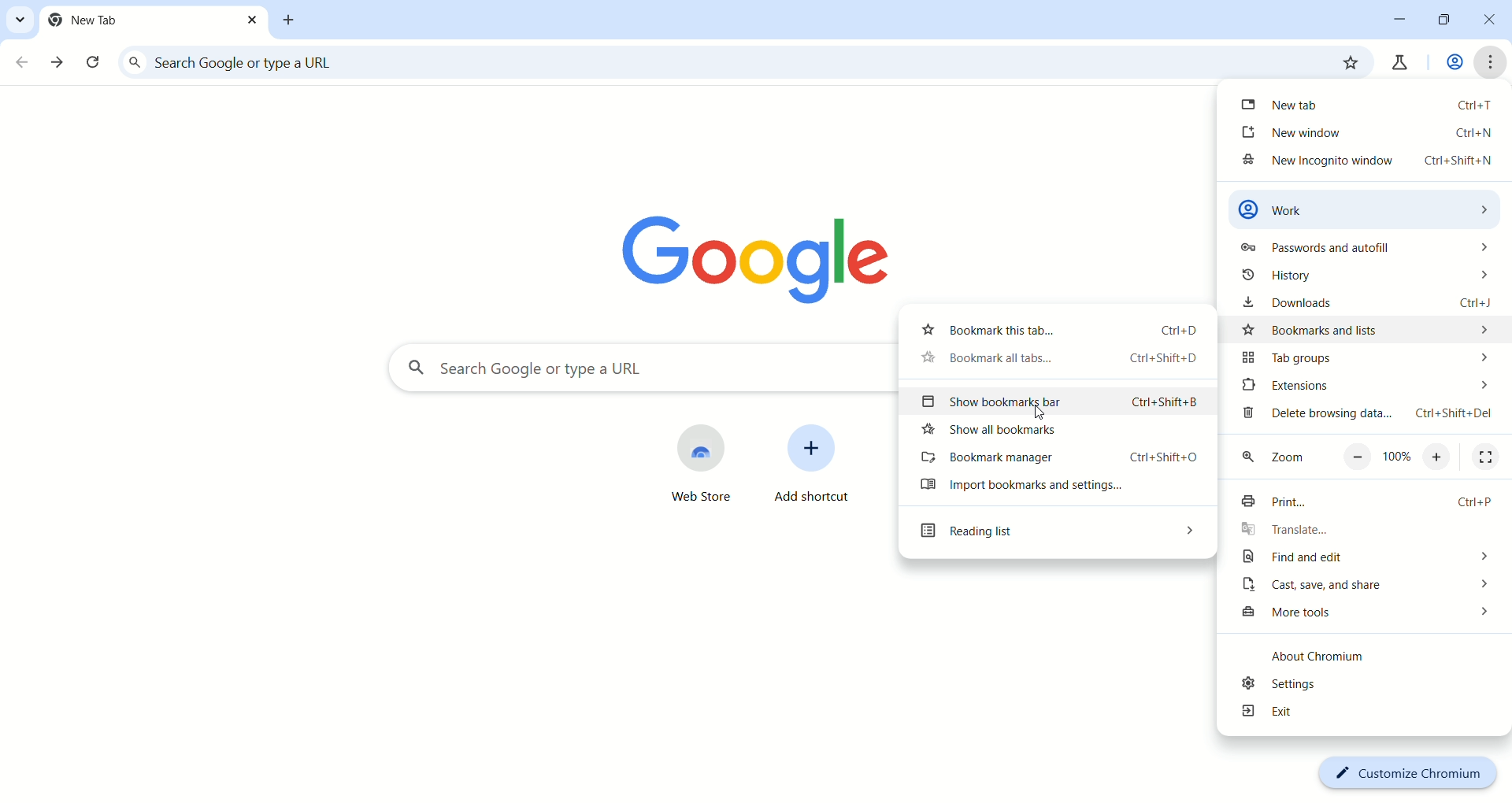 The image size is (1512, 803). Describe the element at coordinates (1365, 164) in the screenshot. I see `new incognito window` at that location.